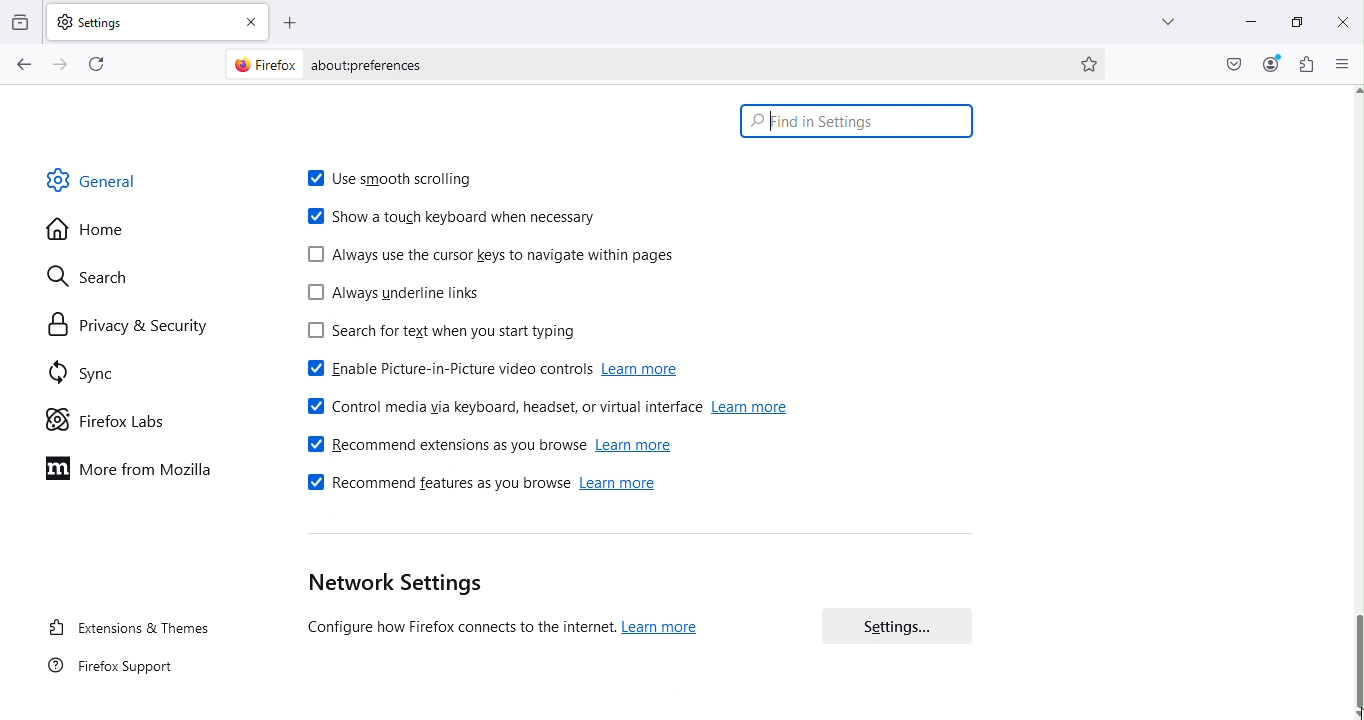  Describe the element at coordinates (113, 670) in the screenshot. I see `Firefox support` at that location.